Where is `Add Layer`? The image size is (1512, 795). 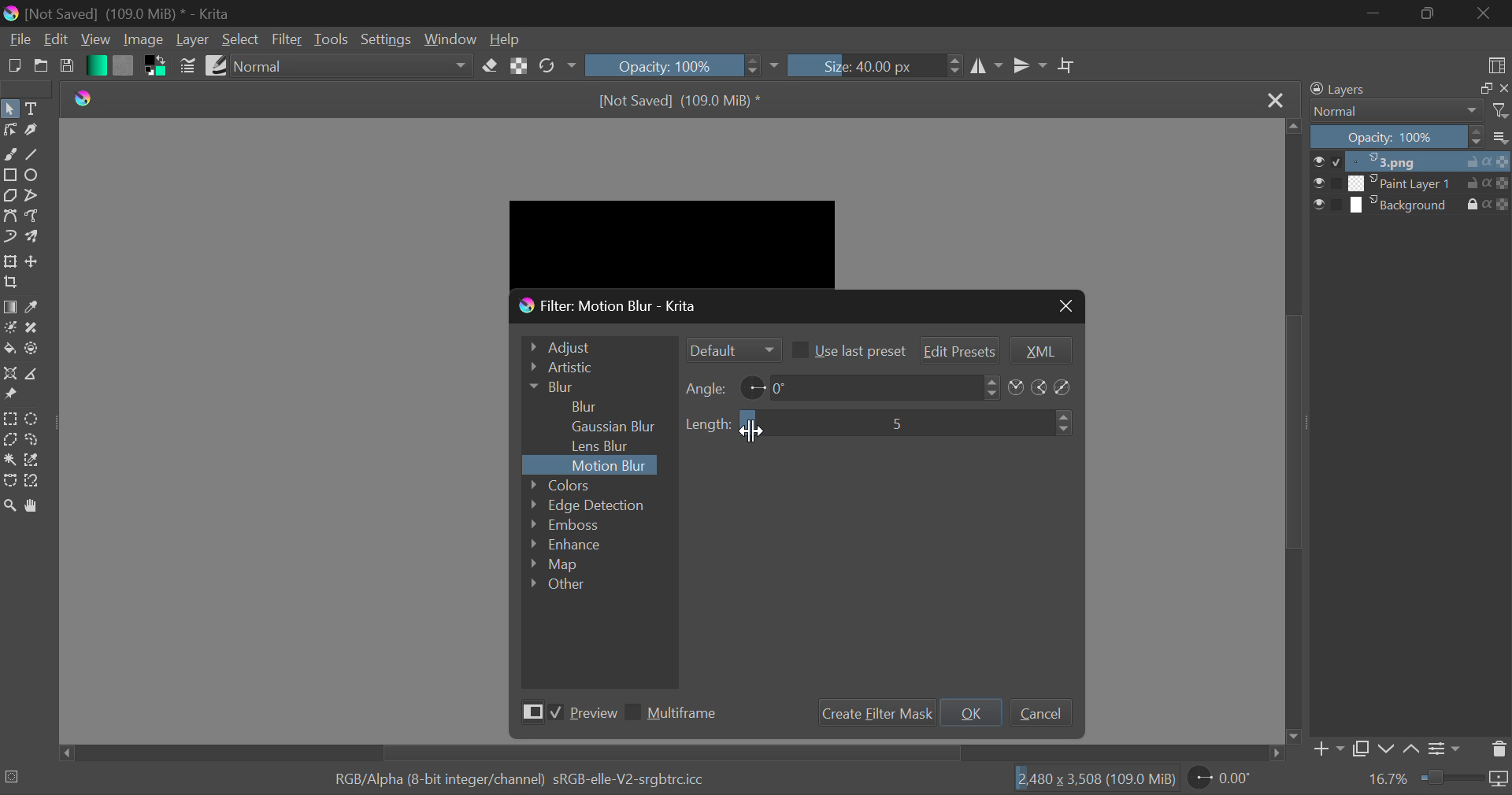 Add Layer is located at coordinates (1328, 749).